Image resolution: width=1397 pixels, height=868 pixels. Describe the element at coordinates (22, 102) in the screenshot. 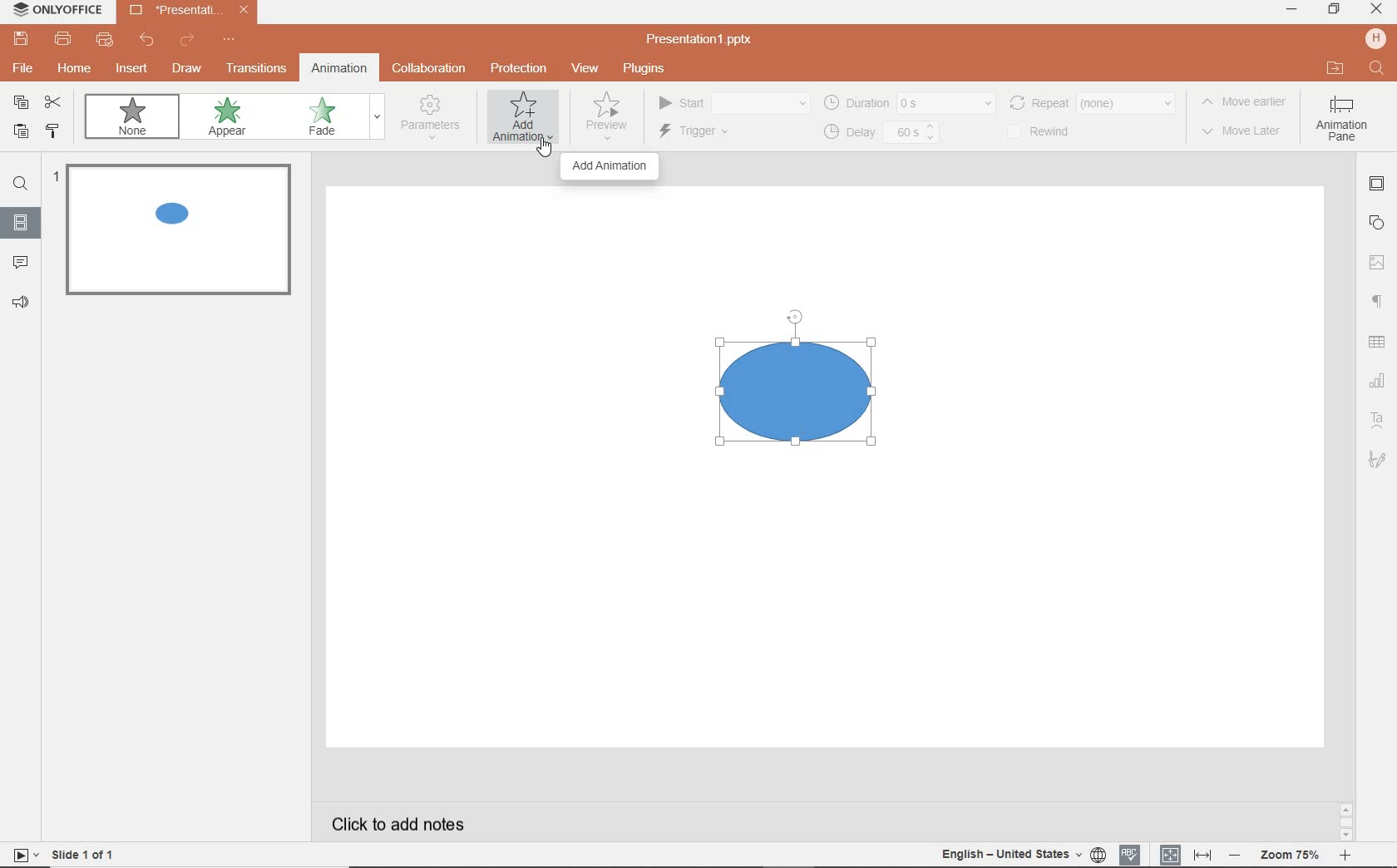

I see `copy` at that location.